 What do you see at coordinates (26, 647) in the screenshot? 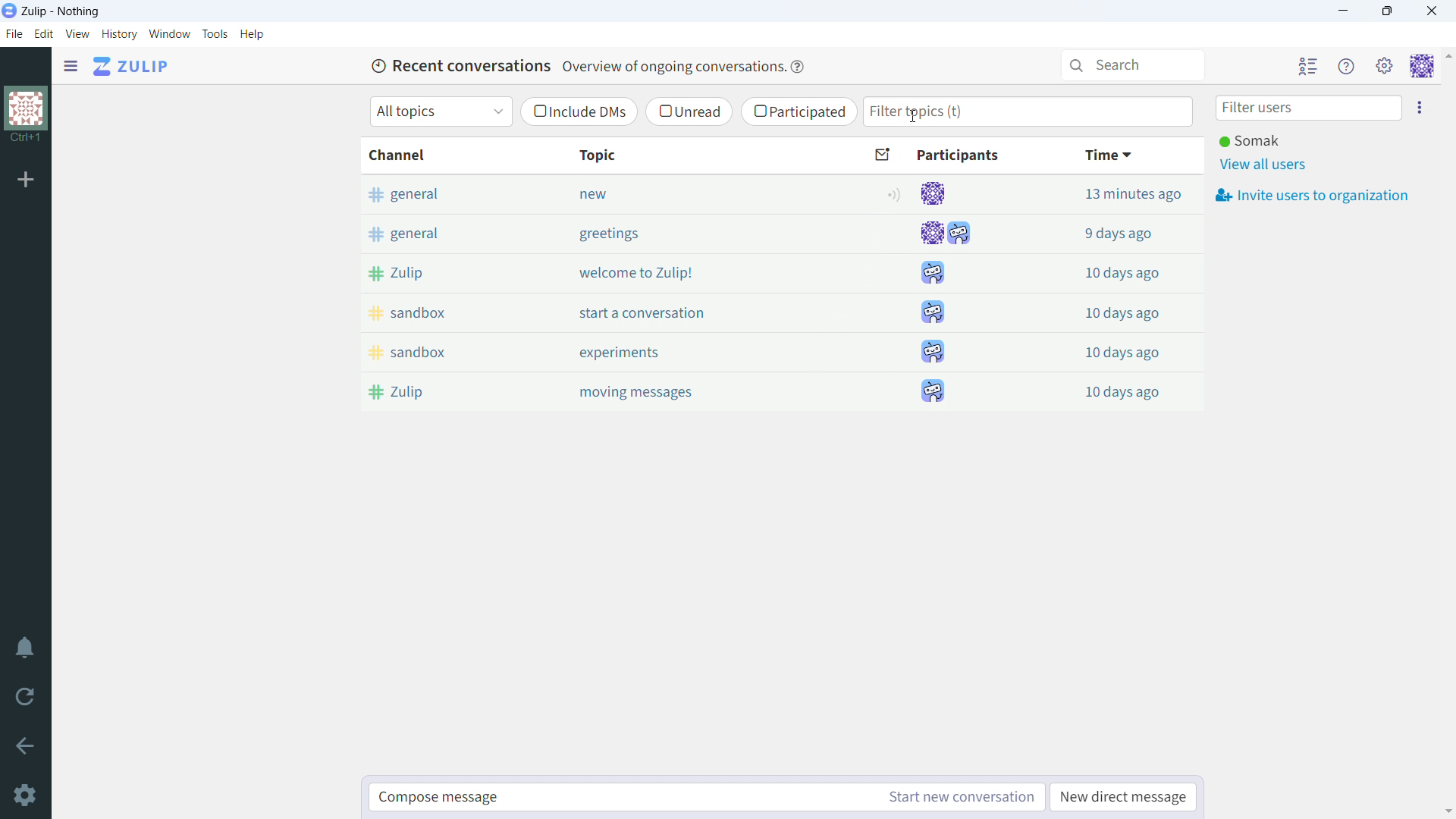
I see `enable do not disturb` at bounding box center [26, 647].